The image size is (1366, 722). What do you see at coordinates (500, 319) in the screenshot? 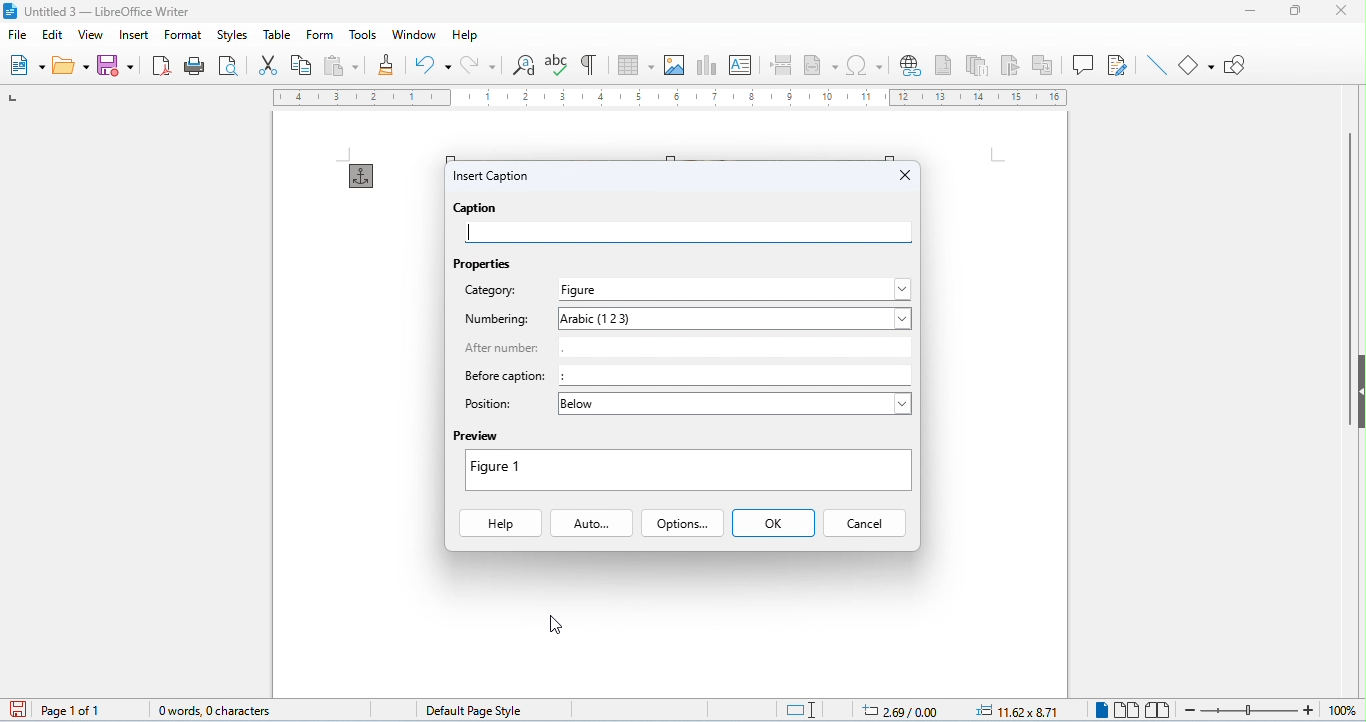
I see `numbering` at bounding box center [500, 319].